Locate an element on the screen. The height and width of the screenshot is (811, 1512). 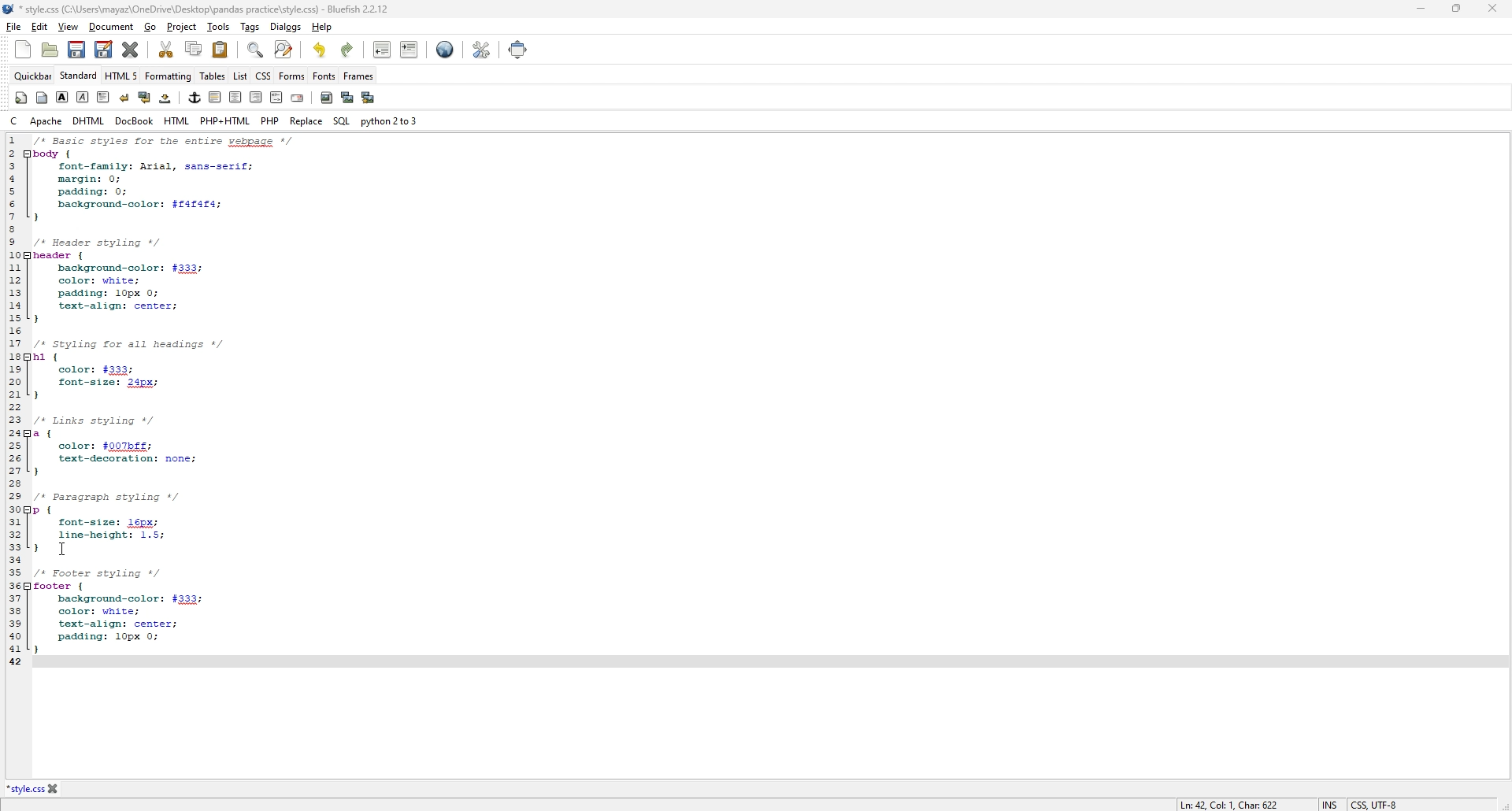
quickbar is located at coordinates (33, 76).